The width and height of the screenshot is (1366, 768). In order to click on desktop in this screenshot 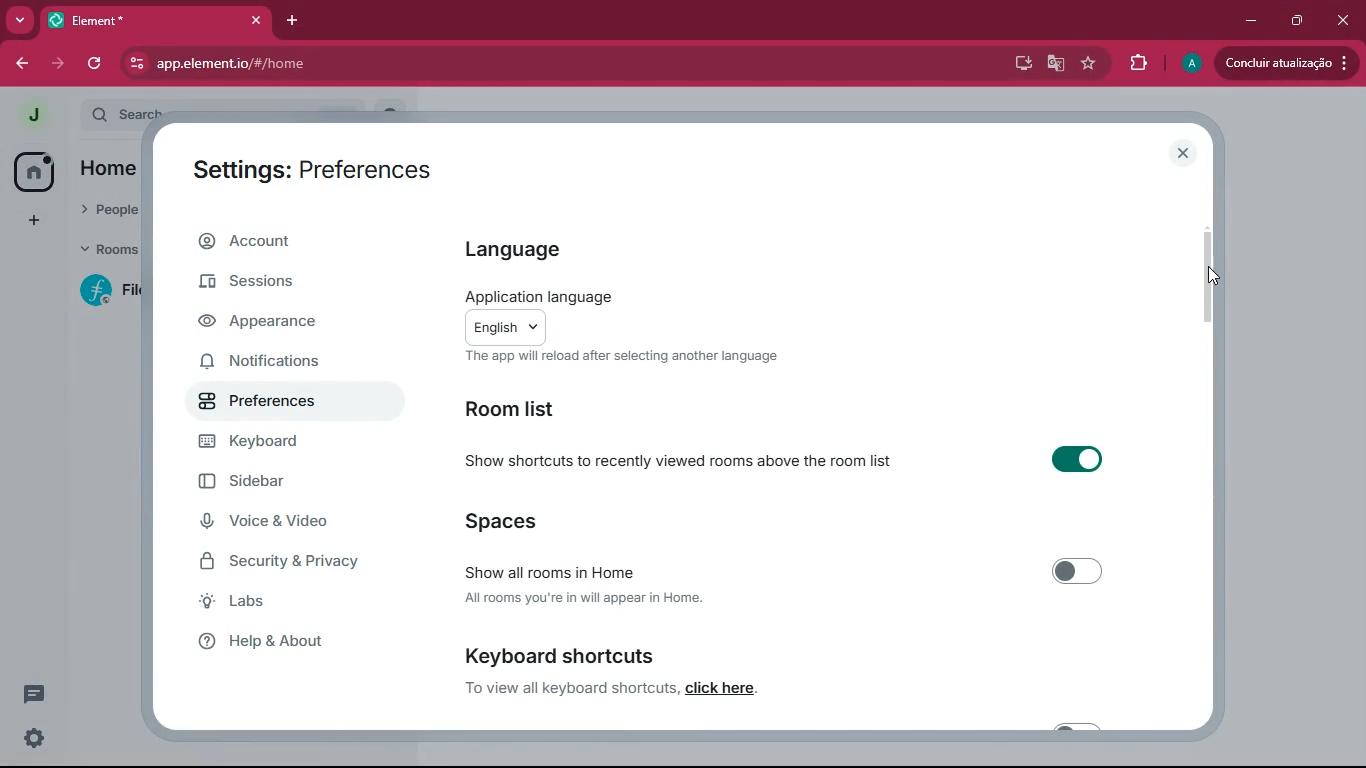, I will do `click(1015, 62)`.